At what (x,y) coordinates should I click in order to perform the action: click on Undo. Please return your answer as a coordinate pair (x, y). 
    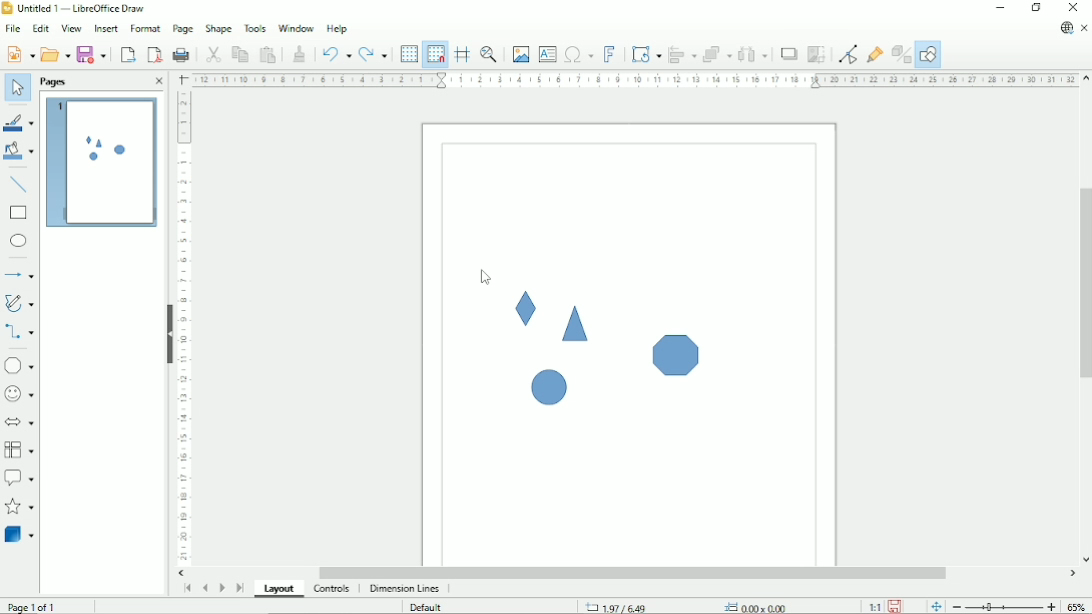
    Looking at the image, I should click on (336, 55).